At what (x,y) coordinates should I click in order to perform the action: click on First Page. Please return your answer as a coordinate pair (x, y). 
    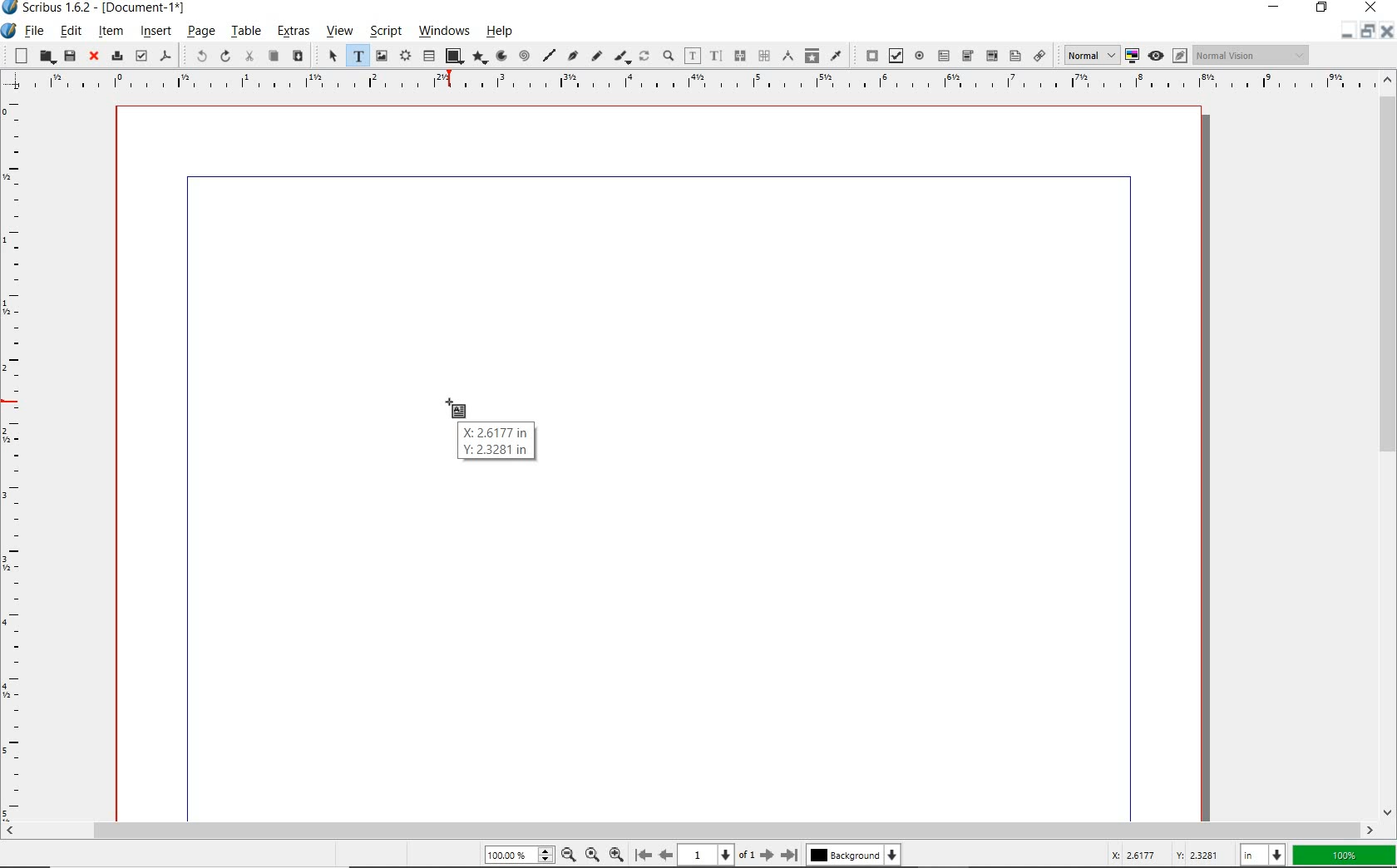
    Looking at the image, I should click on (644, 856).